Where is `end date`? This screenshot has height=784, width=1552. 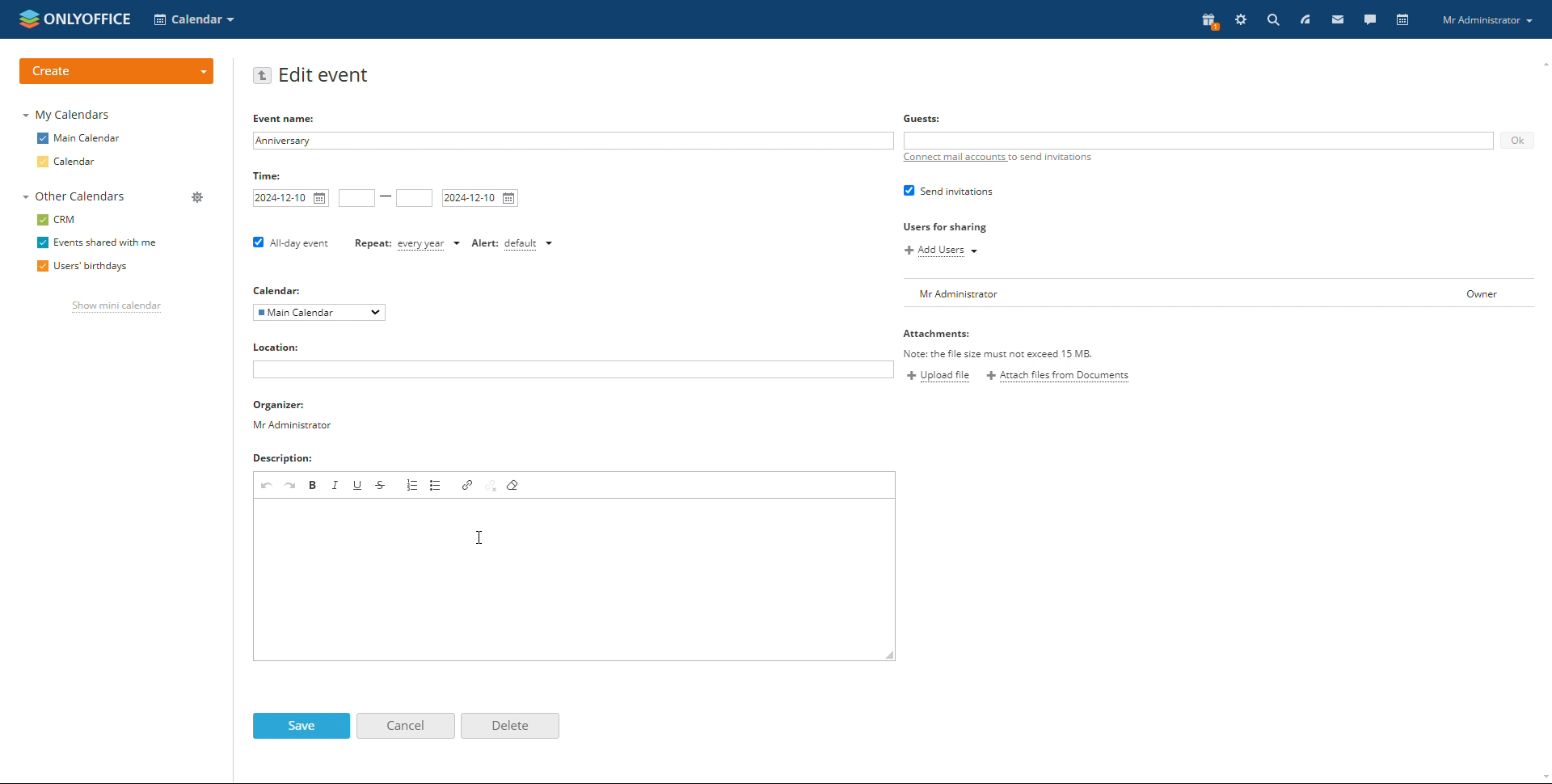 end date is located at coordinates (479, 198).